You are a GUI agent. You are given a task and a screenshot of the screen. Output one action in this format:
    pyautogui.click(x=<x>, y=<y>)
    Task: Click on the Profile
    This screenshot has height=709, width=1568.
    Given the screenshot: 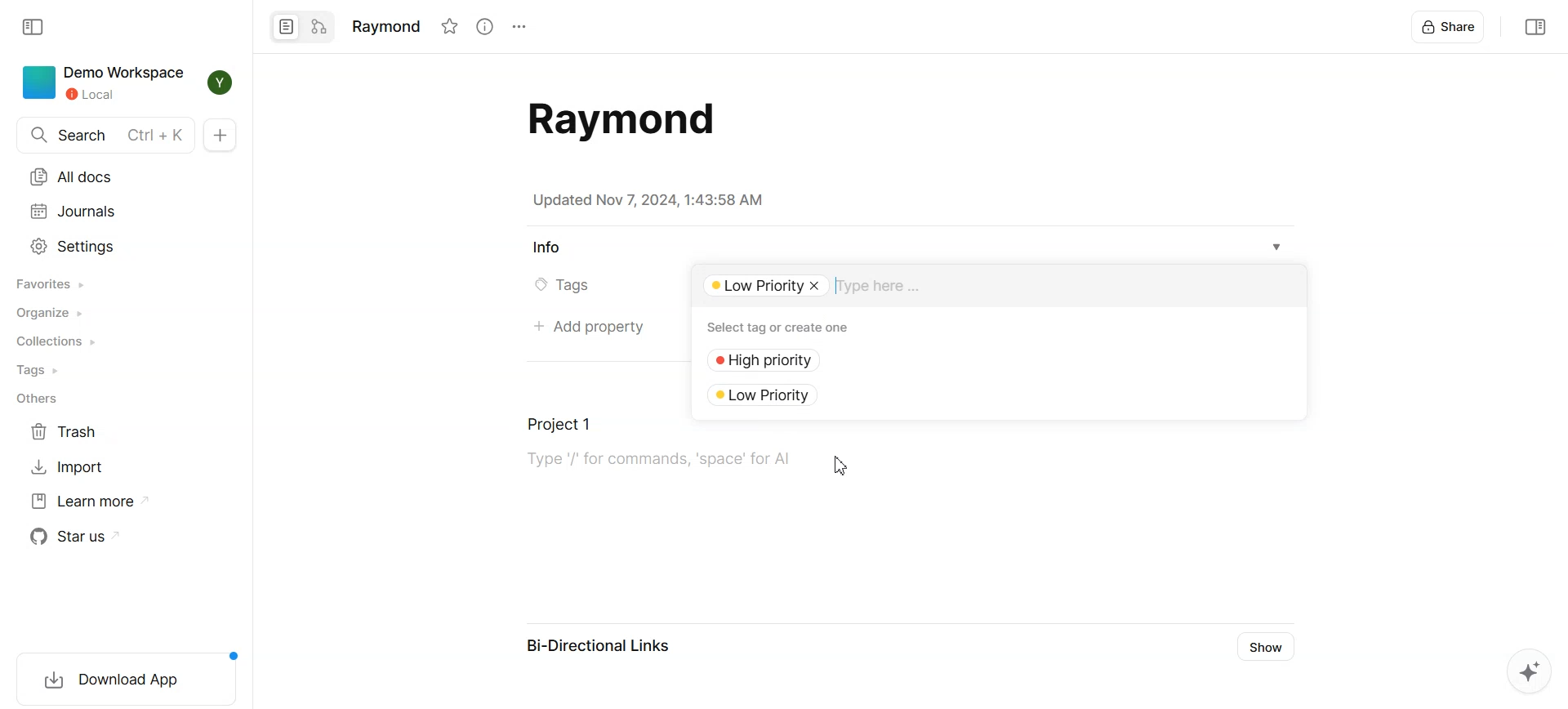 What is the action you would take?
    pyautogui.click(x=222, y=82)
    